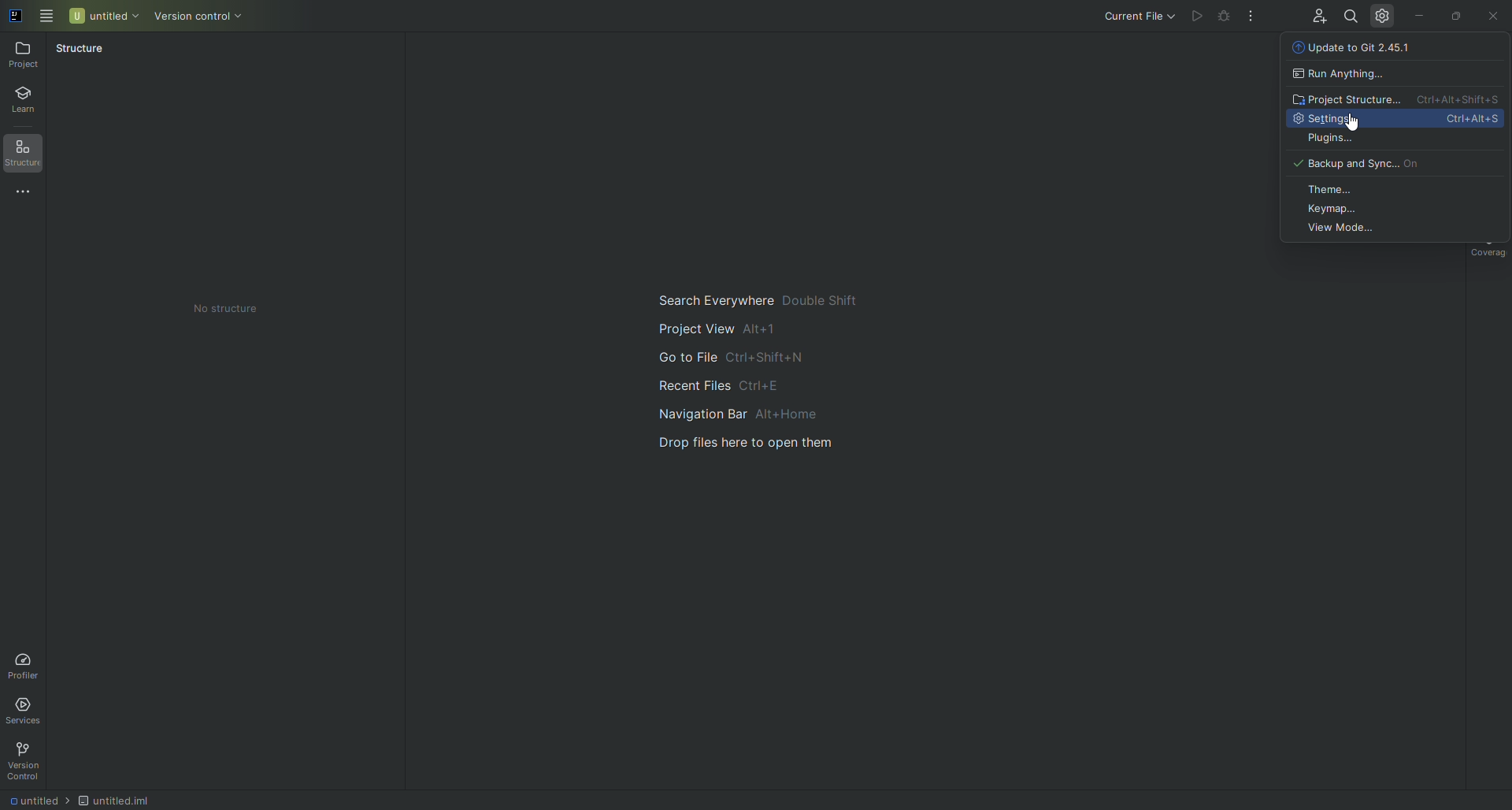 This screenshot has height=810, width=1512. Describe the element at coordinates (227, 310) in the screenshot. I see `No structure` at that location.